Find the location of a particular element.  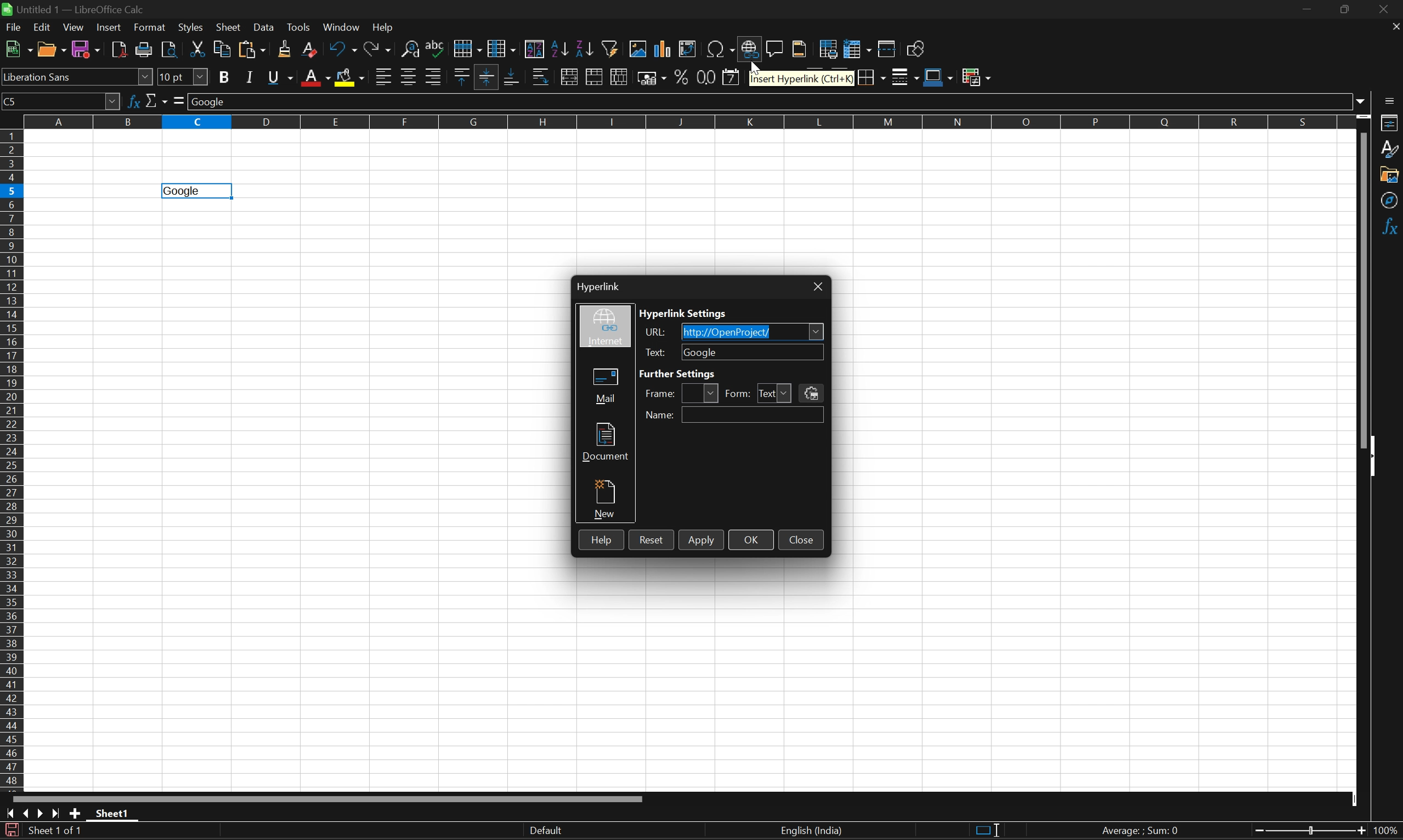

Zoom in is located at coordinates (1254, 832).